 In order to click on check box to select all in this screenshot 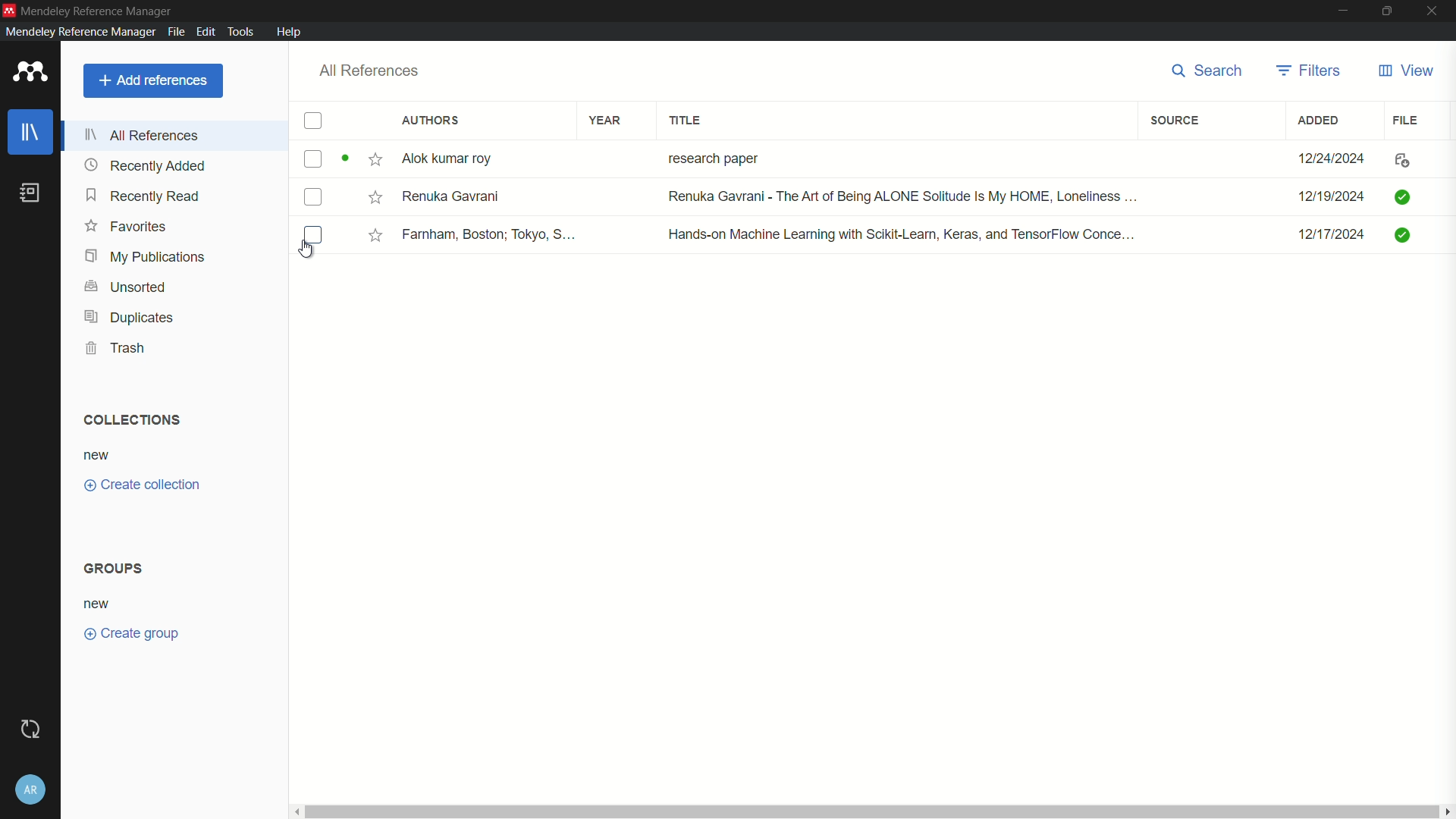, I will do `click(314, 121)`.